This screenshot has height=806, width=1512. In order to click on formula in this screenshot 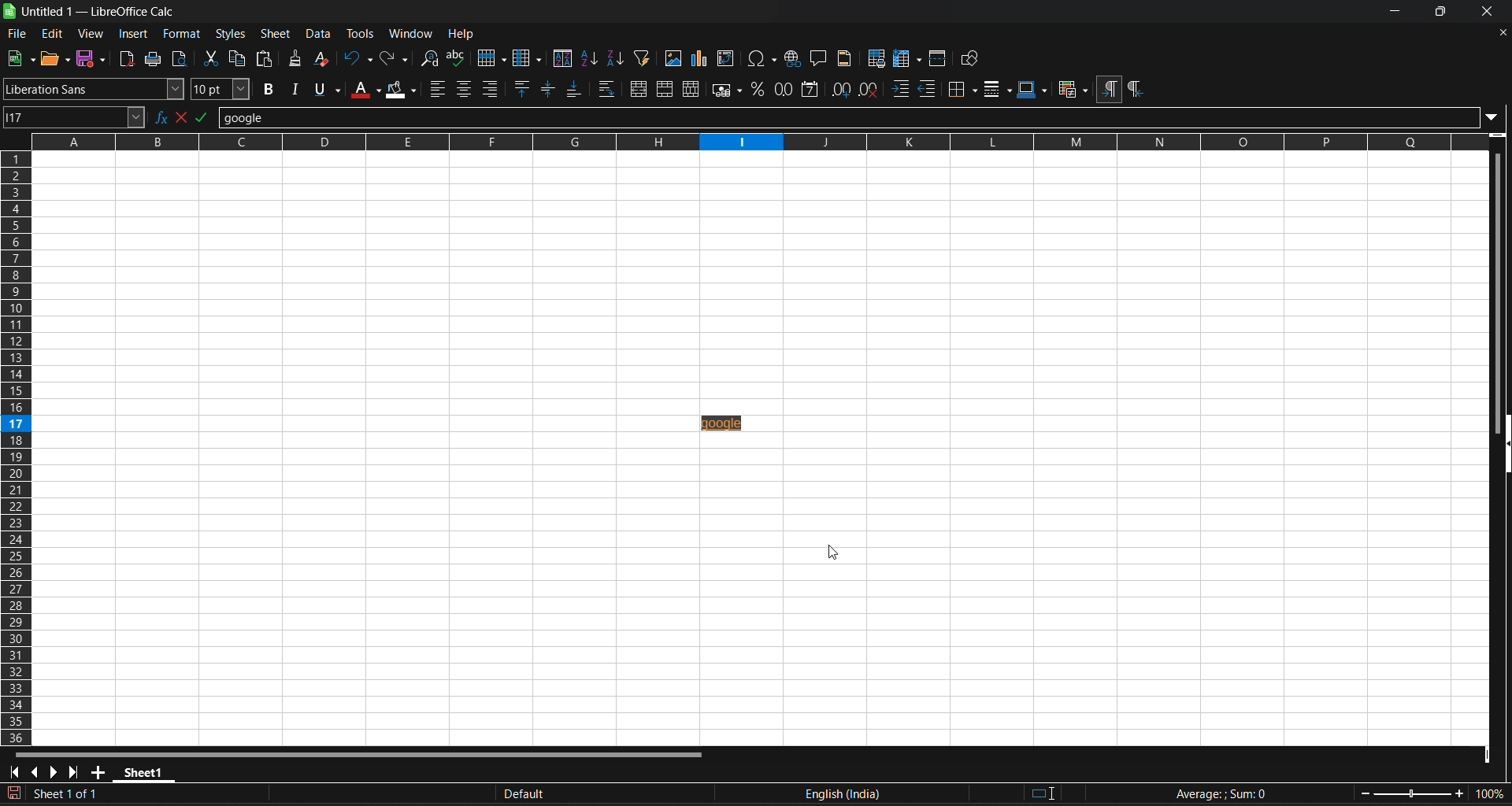, I will do `click(1220, 793)`.